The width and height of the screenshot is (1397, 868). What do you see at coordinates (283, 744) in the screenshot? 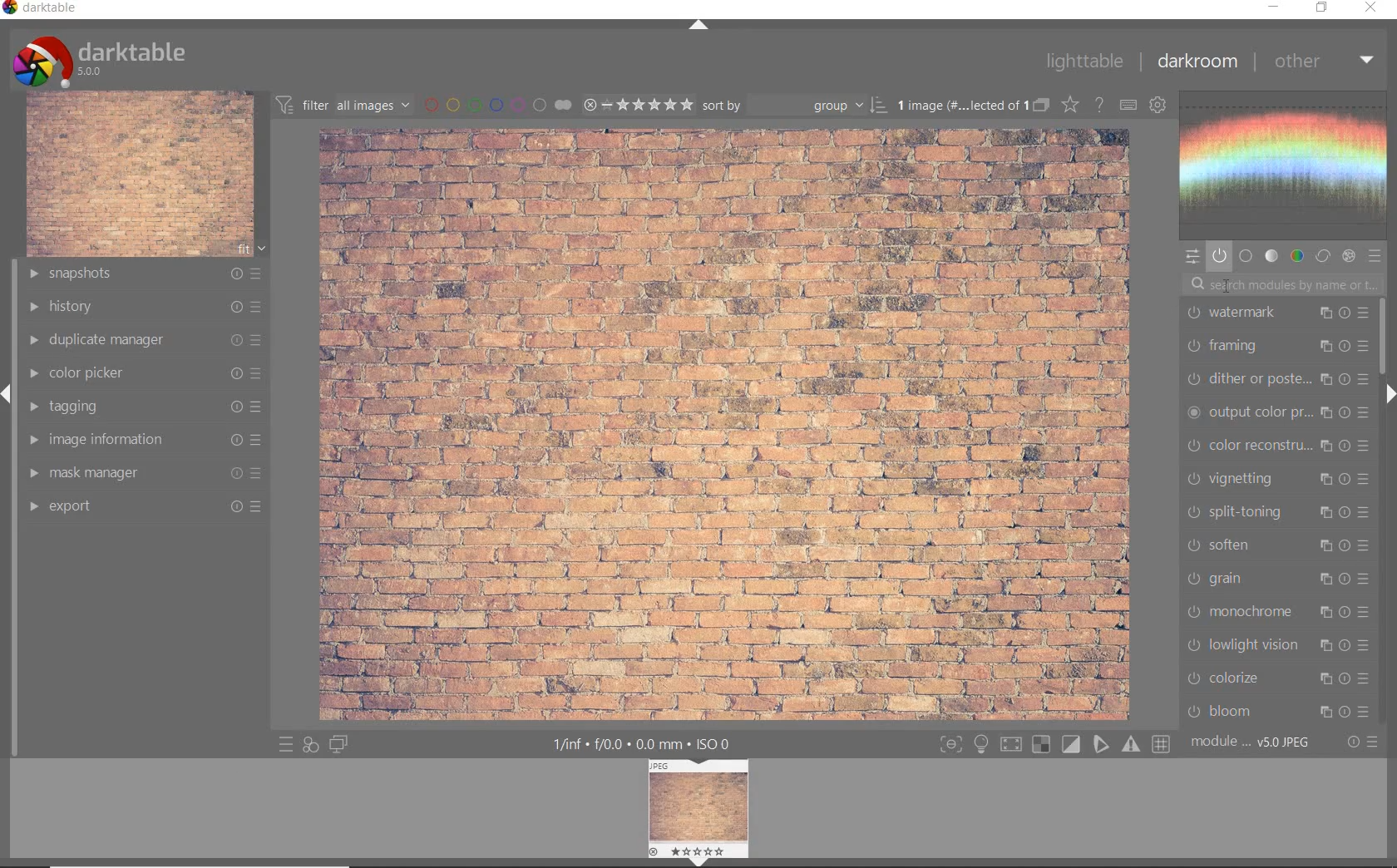
I see `quick access to preset` at bounding box center [283, 744].